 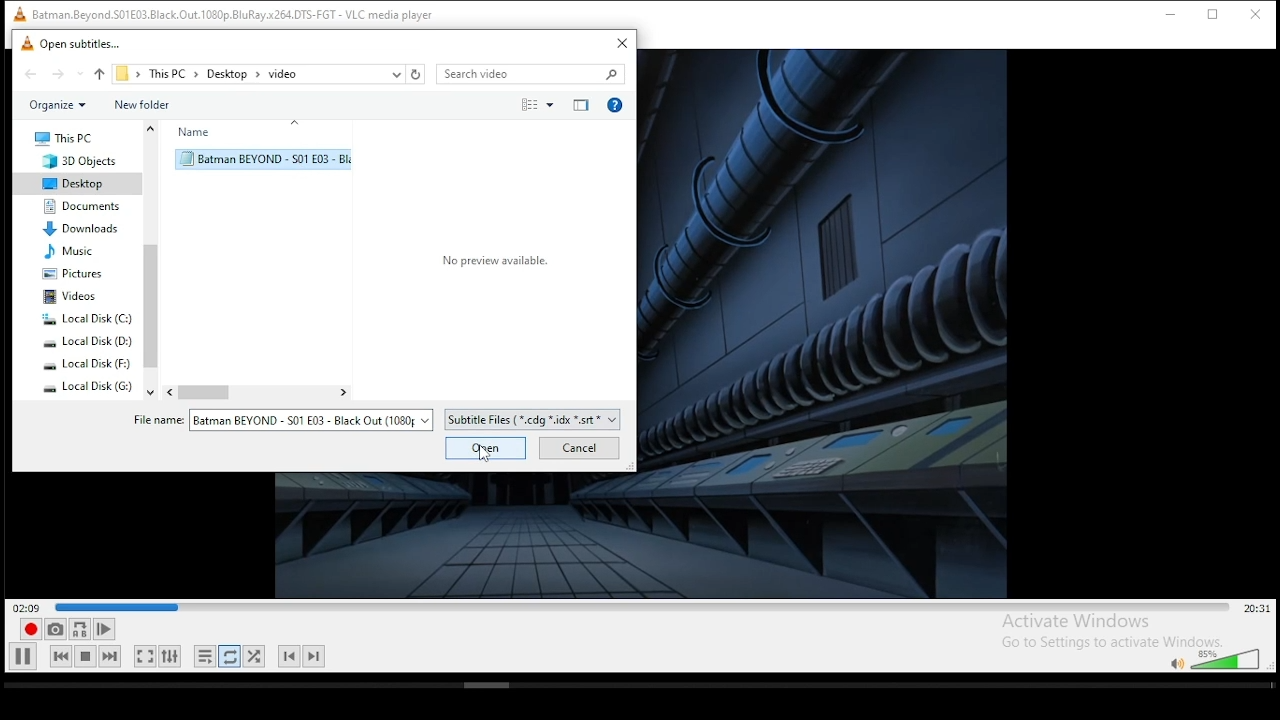 What do you see at coordinates (642, 606) in the screenshot?
I see `seek bar` at bounding box center [642, 606].